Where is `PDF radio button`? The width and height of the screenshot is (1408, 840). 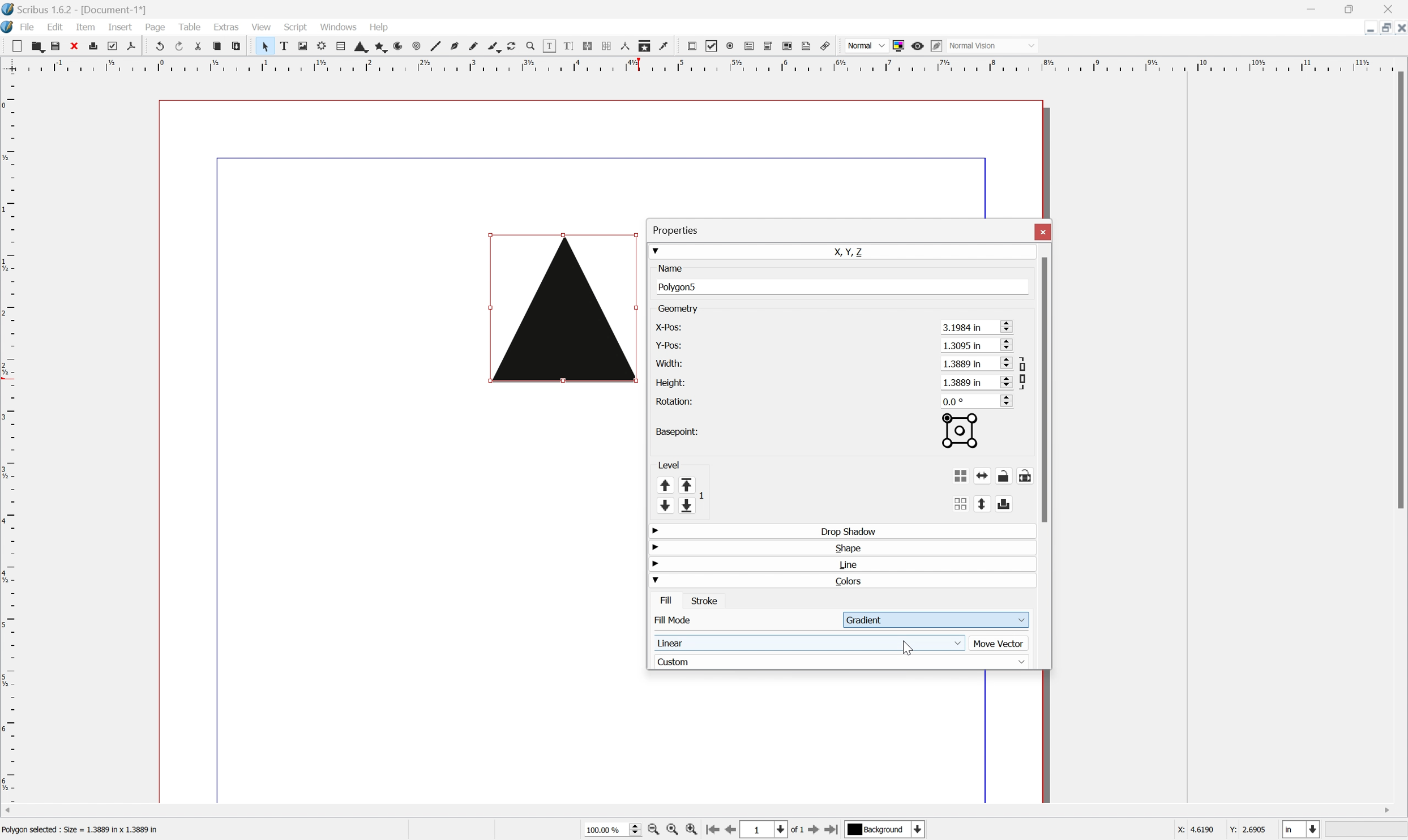
PDF radio button is located at coordinates (729, 46).